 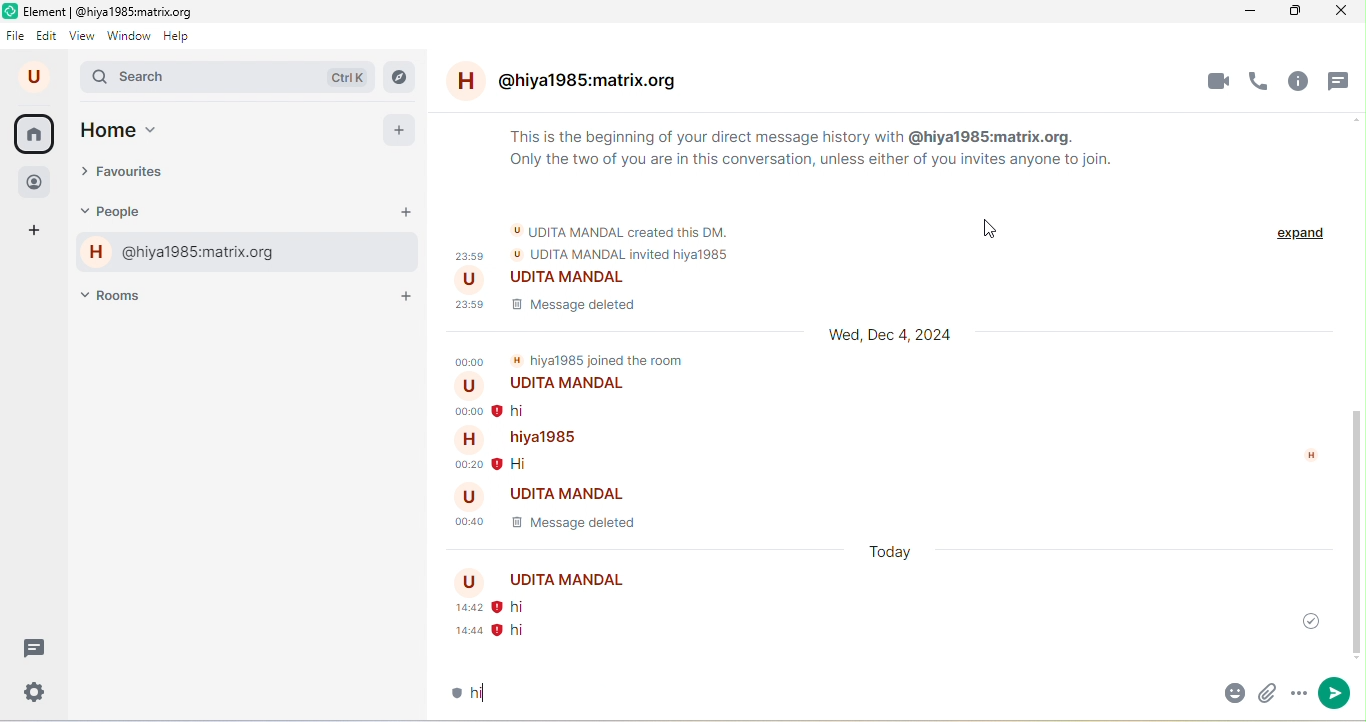 I want to click on expand, so click(x=1296, y=238).